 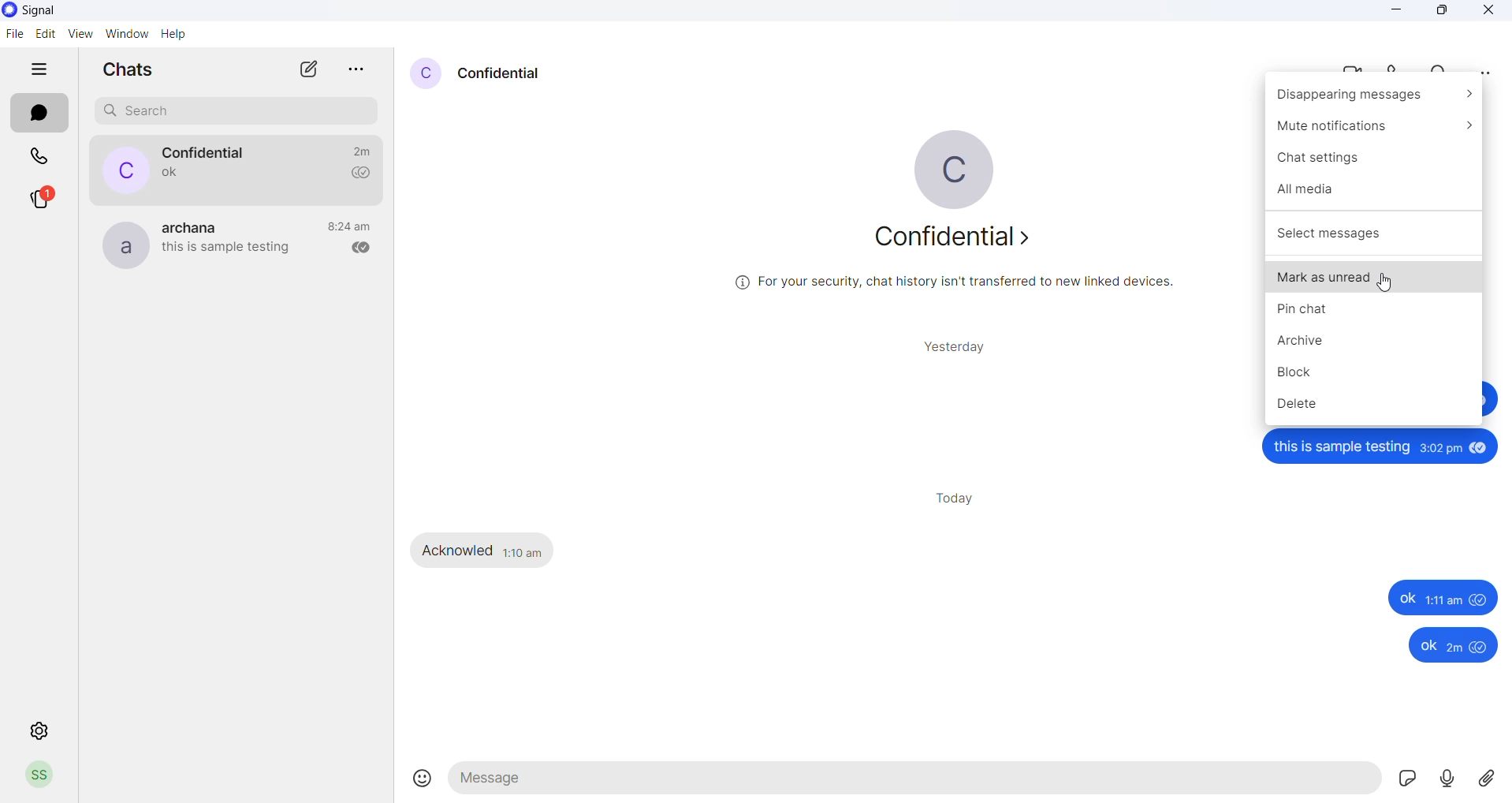 What do you see at coordinates (966, 166) in the screenshot?
I see `profile picture` at bounding box center [966, 166].